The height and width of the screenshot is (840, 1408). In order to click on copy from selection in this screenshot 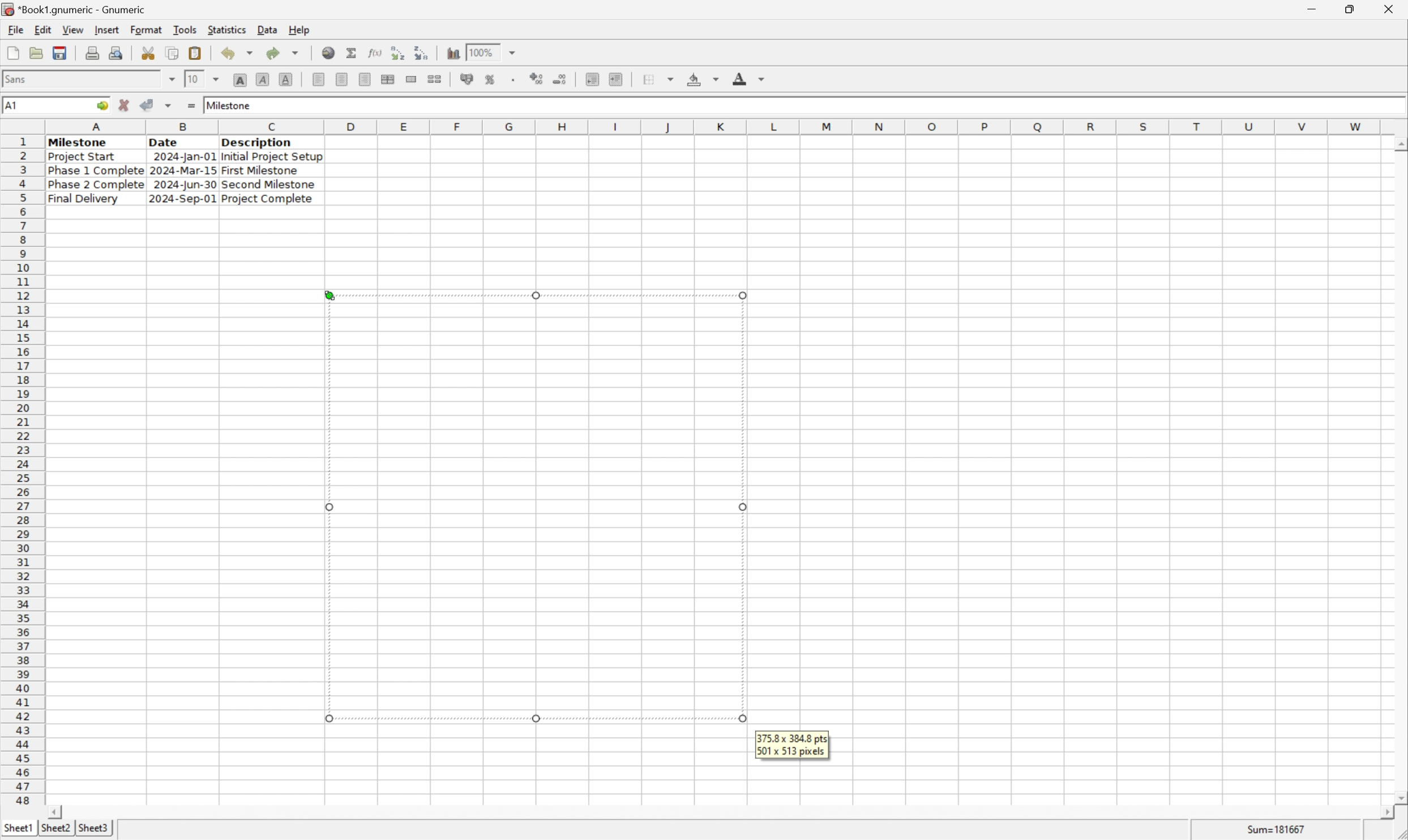, I will do `click(174, 53)`.